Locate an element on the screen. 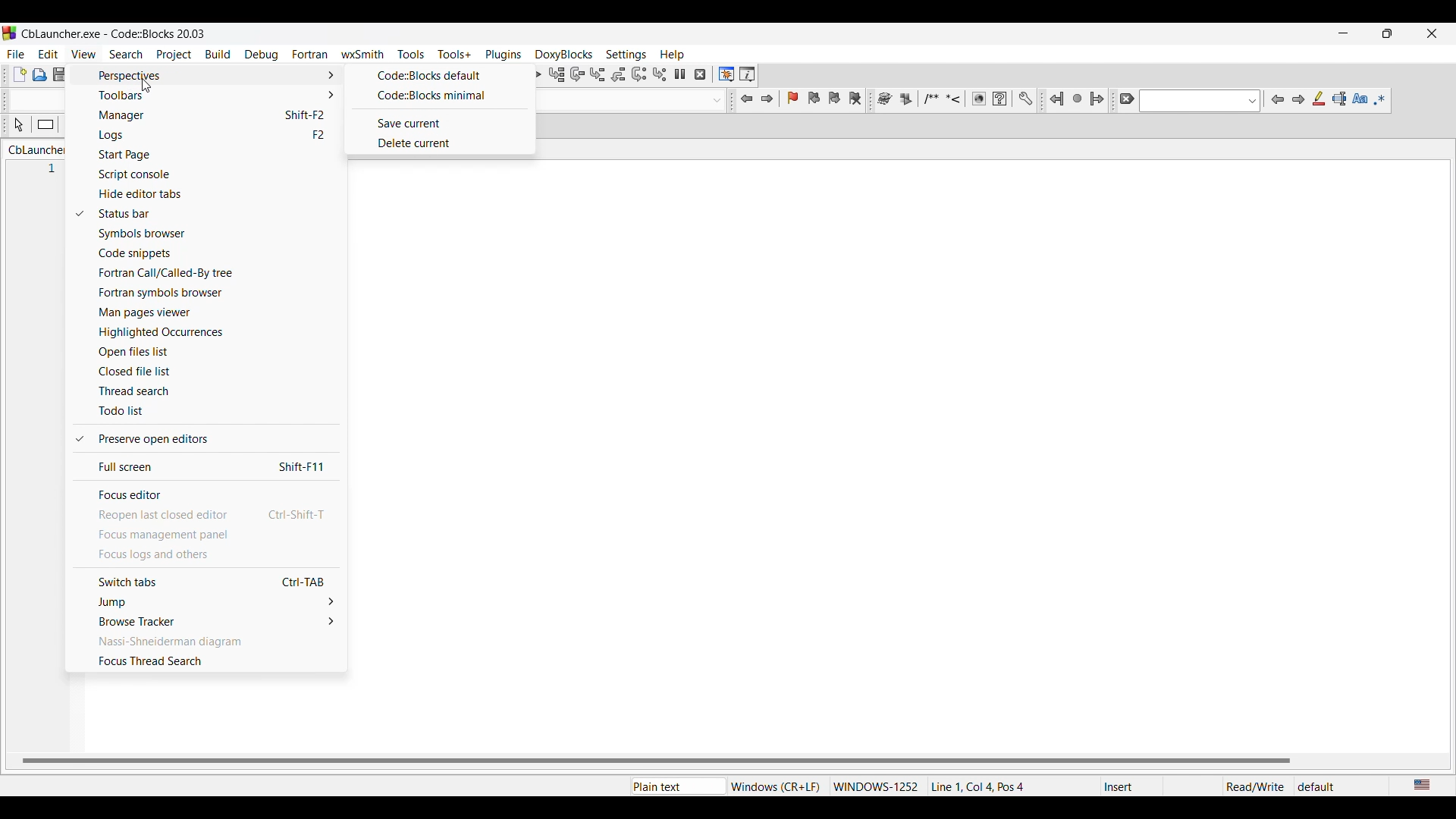 The image size is (1456, 819). Next bookmark is located at coordinates (834, 98).